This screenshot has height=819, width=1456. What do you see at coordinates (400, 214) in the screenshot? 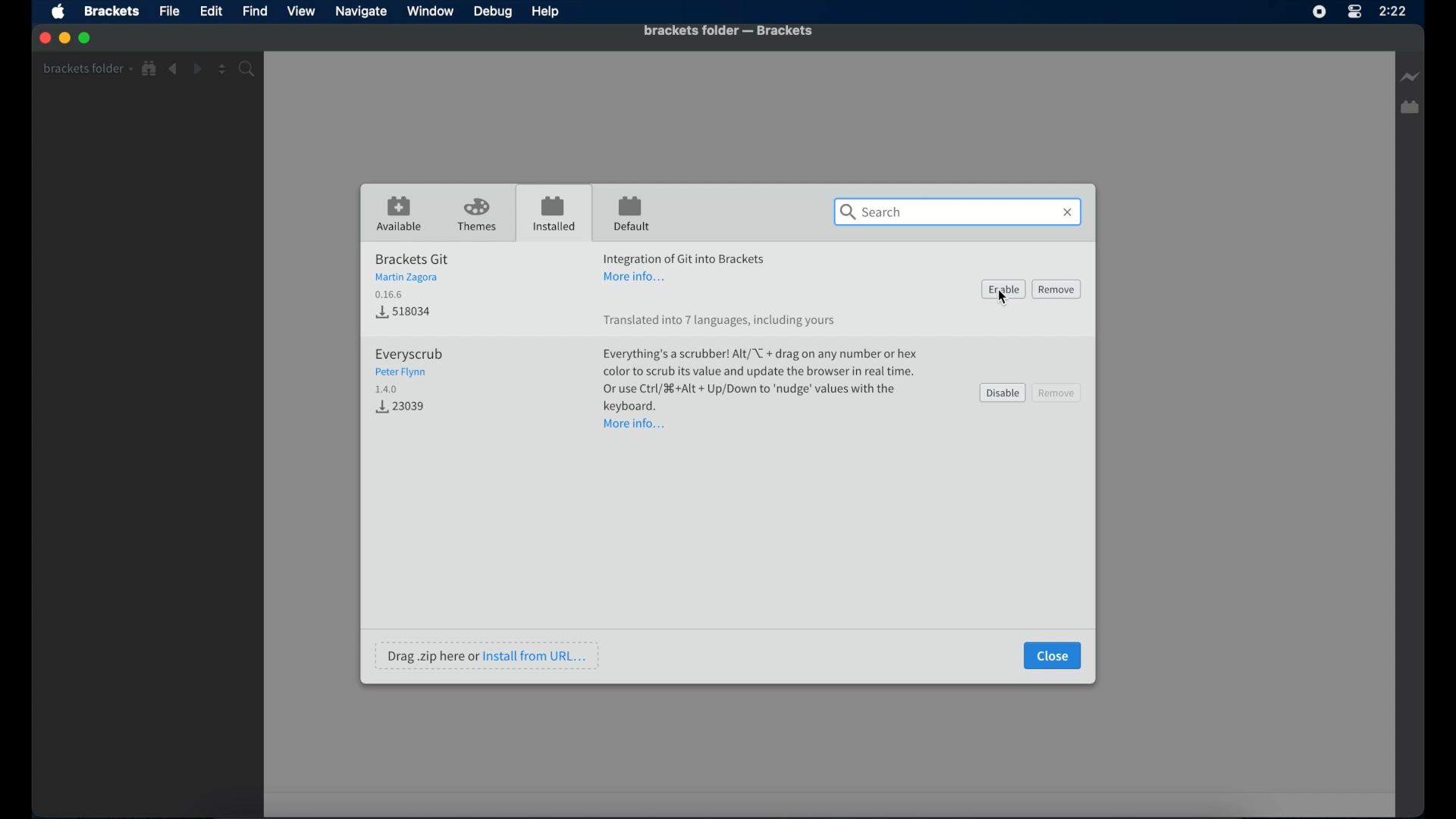
I see `available` at bounding box center [400, 214].